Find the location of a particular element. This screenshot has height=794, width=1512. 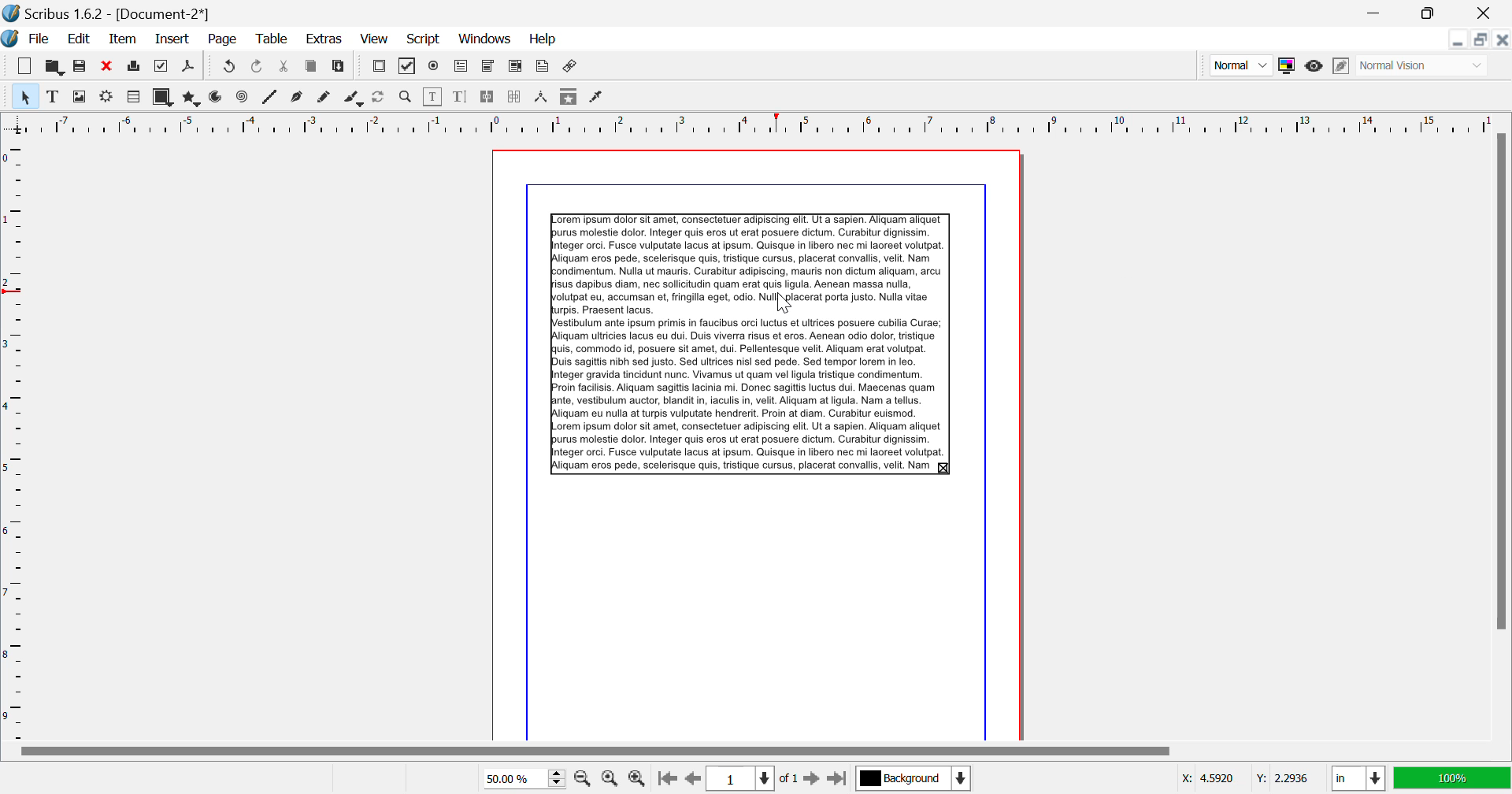

Undo is located at coordinates (259, 68).